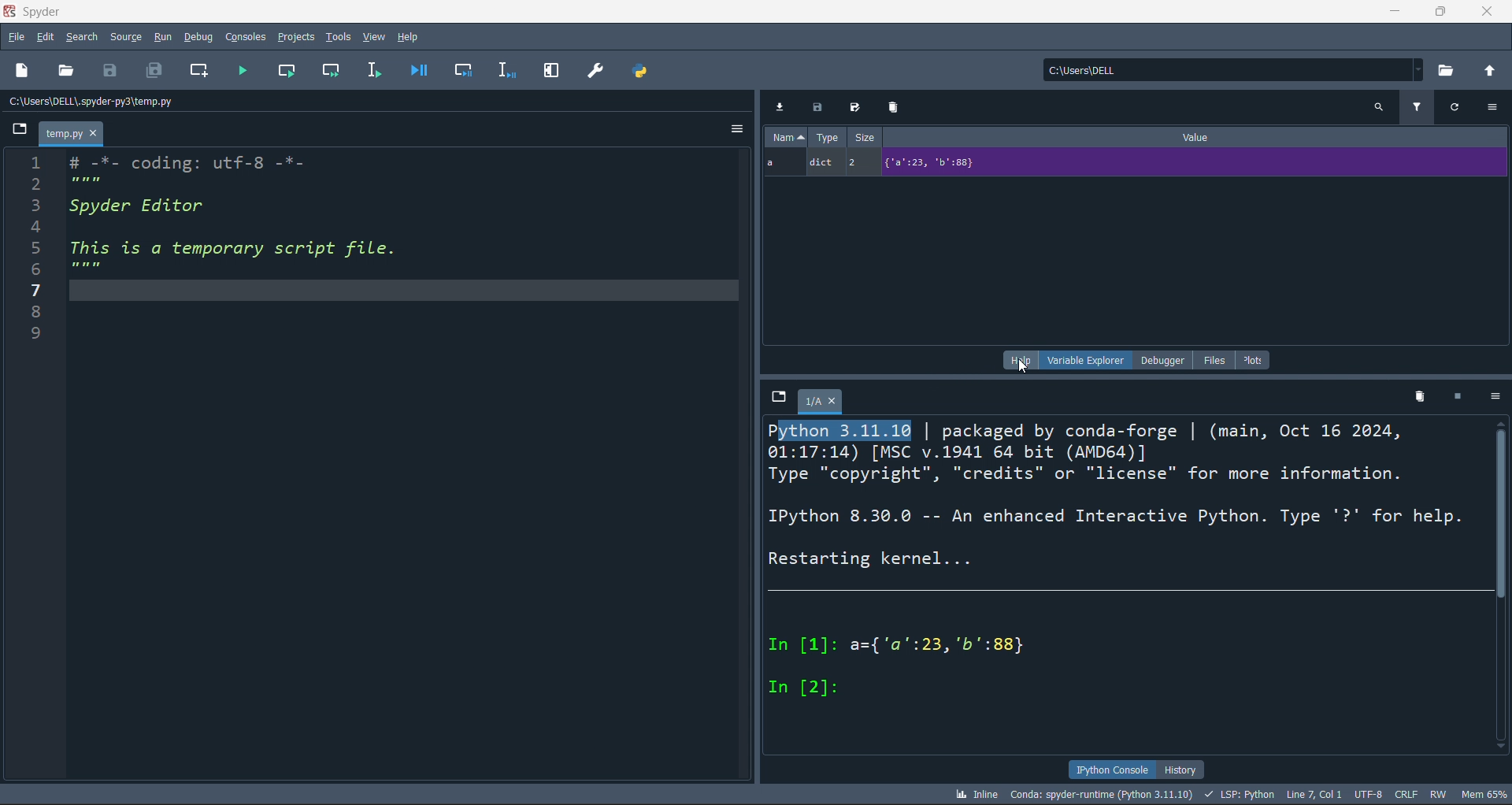  What do you see at coordinates (817, 106) in the screenshot?
I see `save` at bounding box center [817, 106].